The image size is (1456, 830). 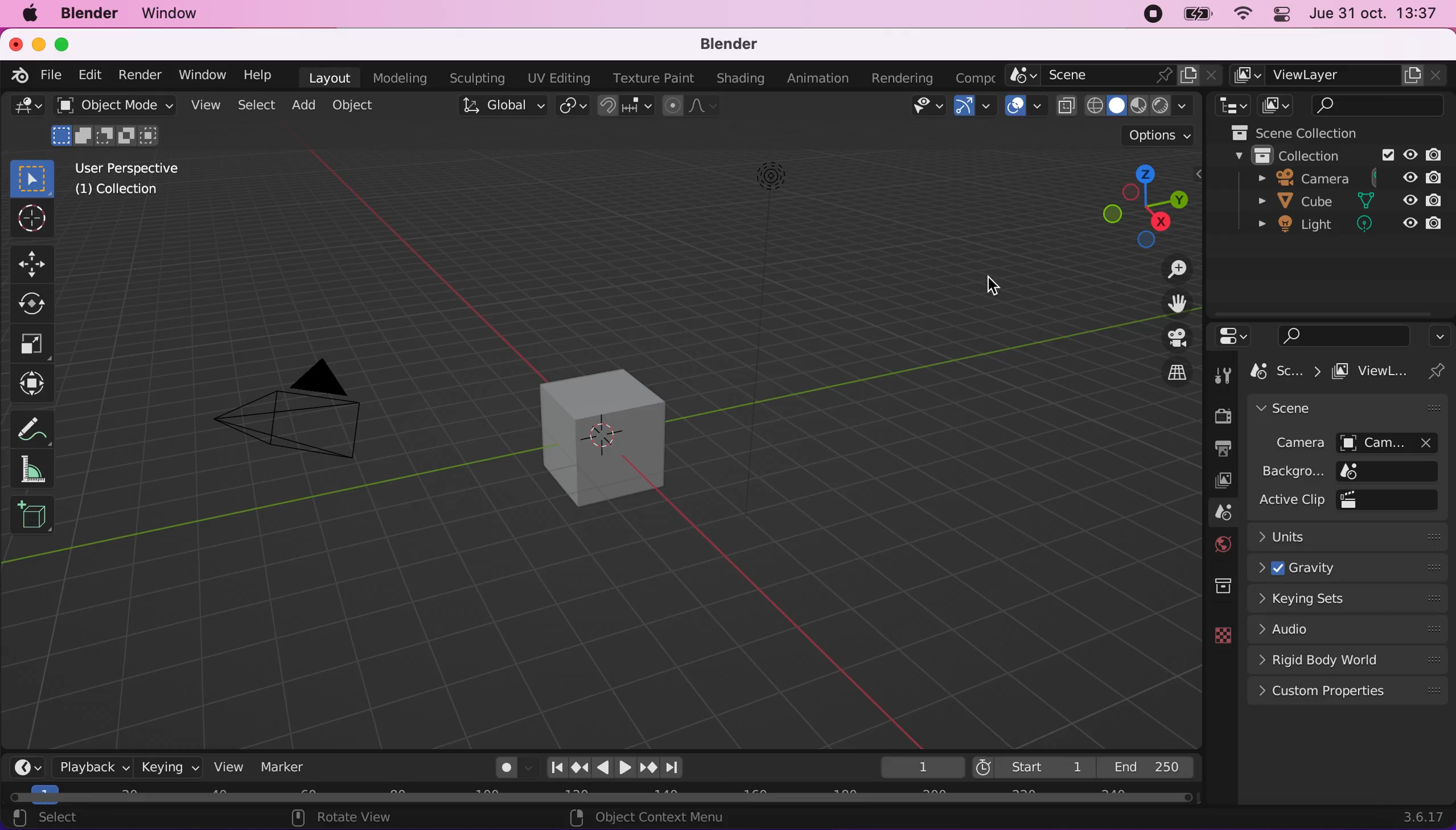 What do you see at coordinates (19, 76) in the screenshot?
I see ` blender logo` at bounding box center [19, 76].